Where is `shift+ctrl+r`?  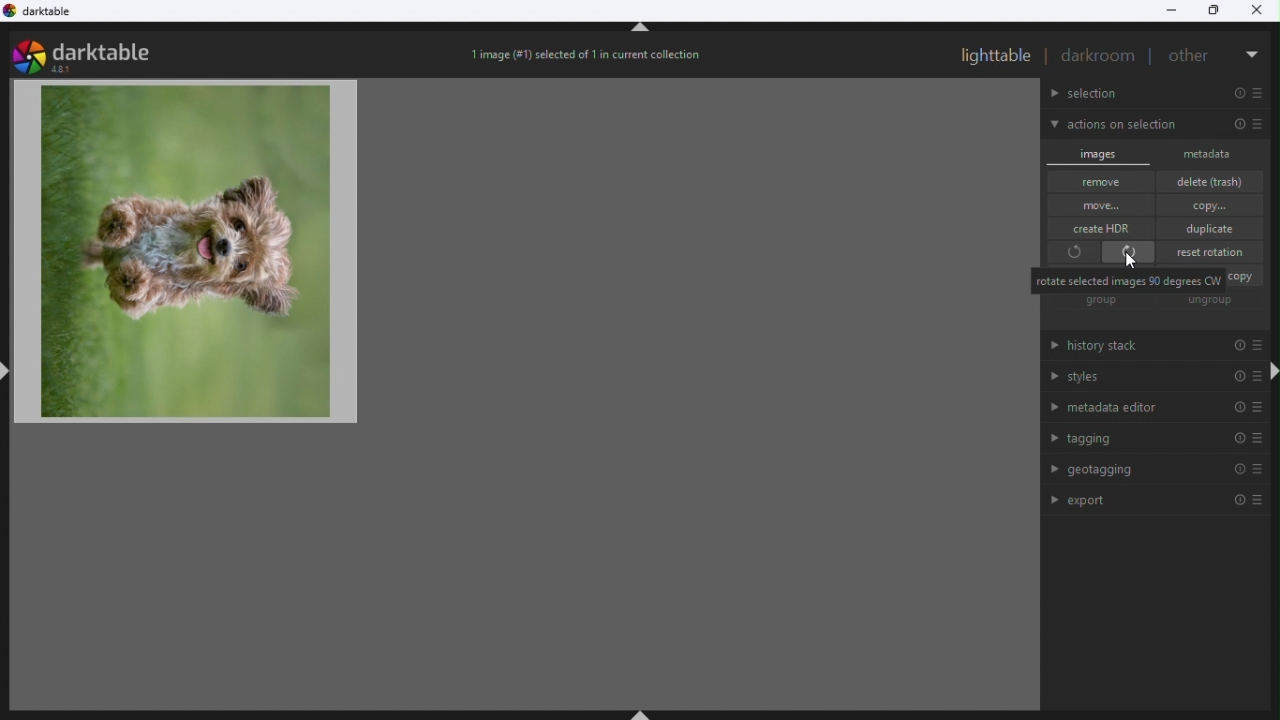 shift+ctrl+r is located at coordinates (1272, 372).